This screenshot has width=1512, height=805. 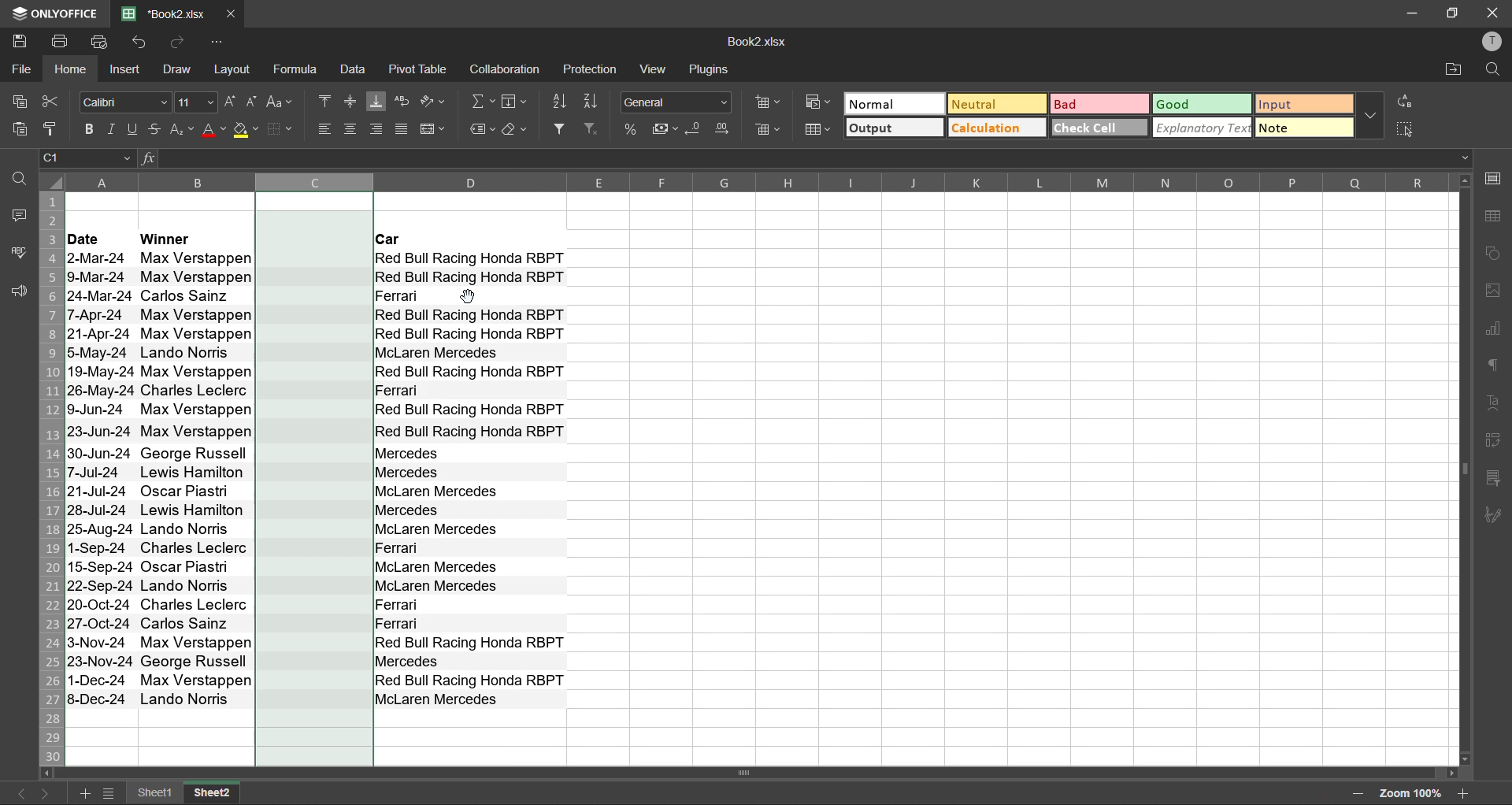 I want to click on cell settings, so click(x=1491, y=181).